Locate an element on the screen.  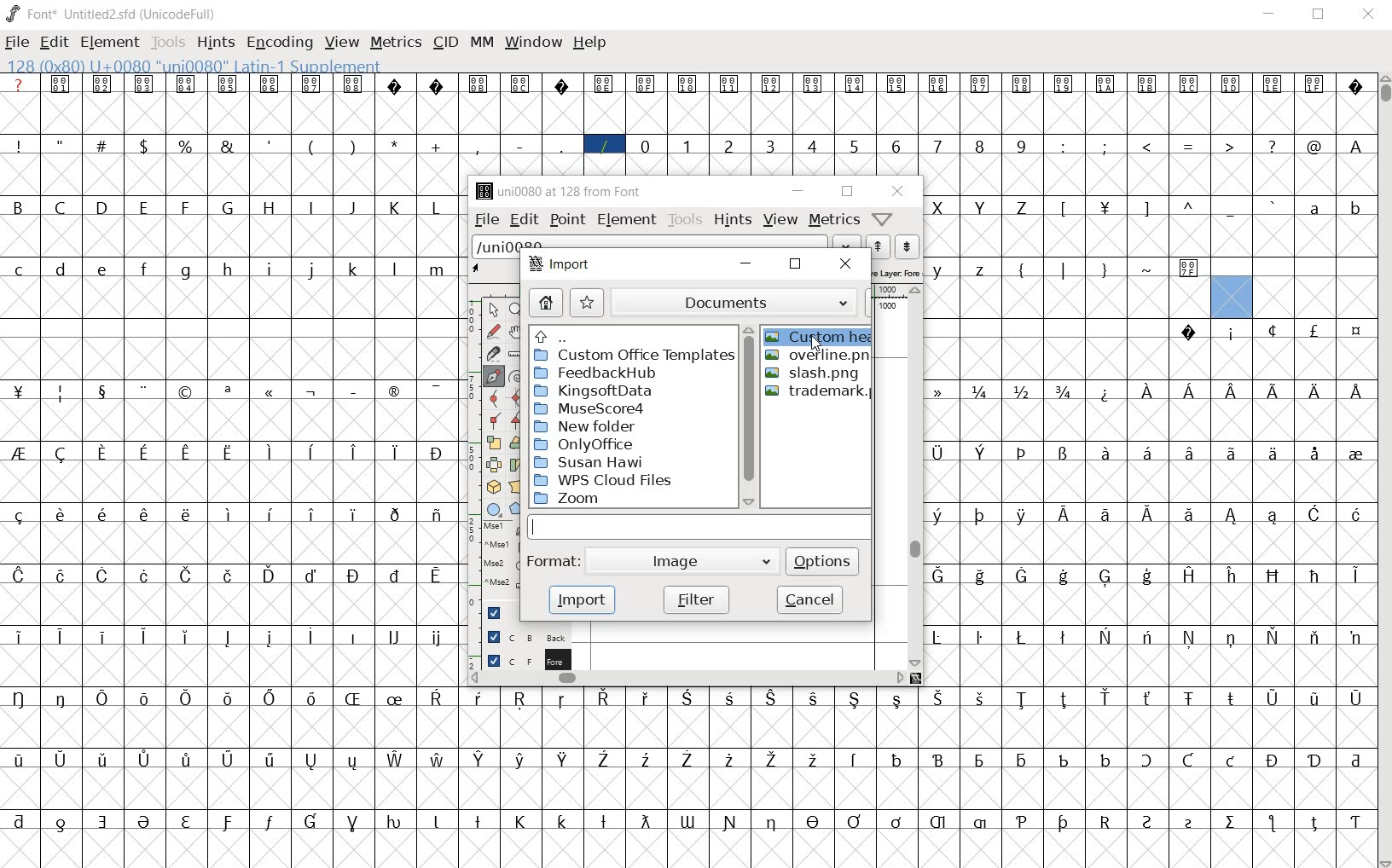
glyph is located at coordinates (185, 207).